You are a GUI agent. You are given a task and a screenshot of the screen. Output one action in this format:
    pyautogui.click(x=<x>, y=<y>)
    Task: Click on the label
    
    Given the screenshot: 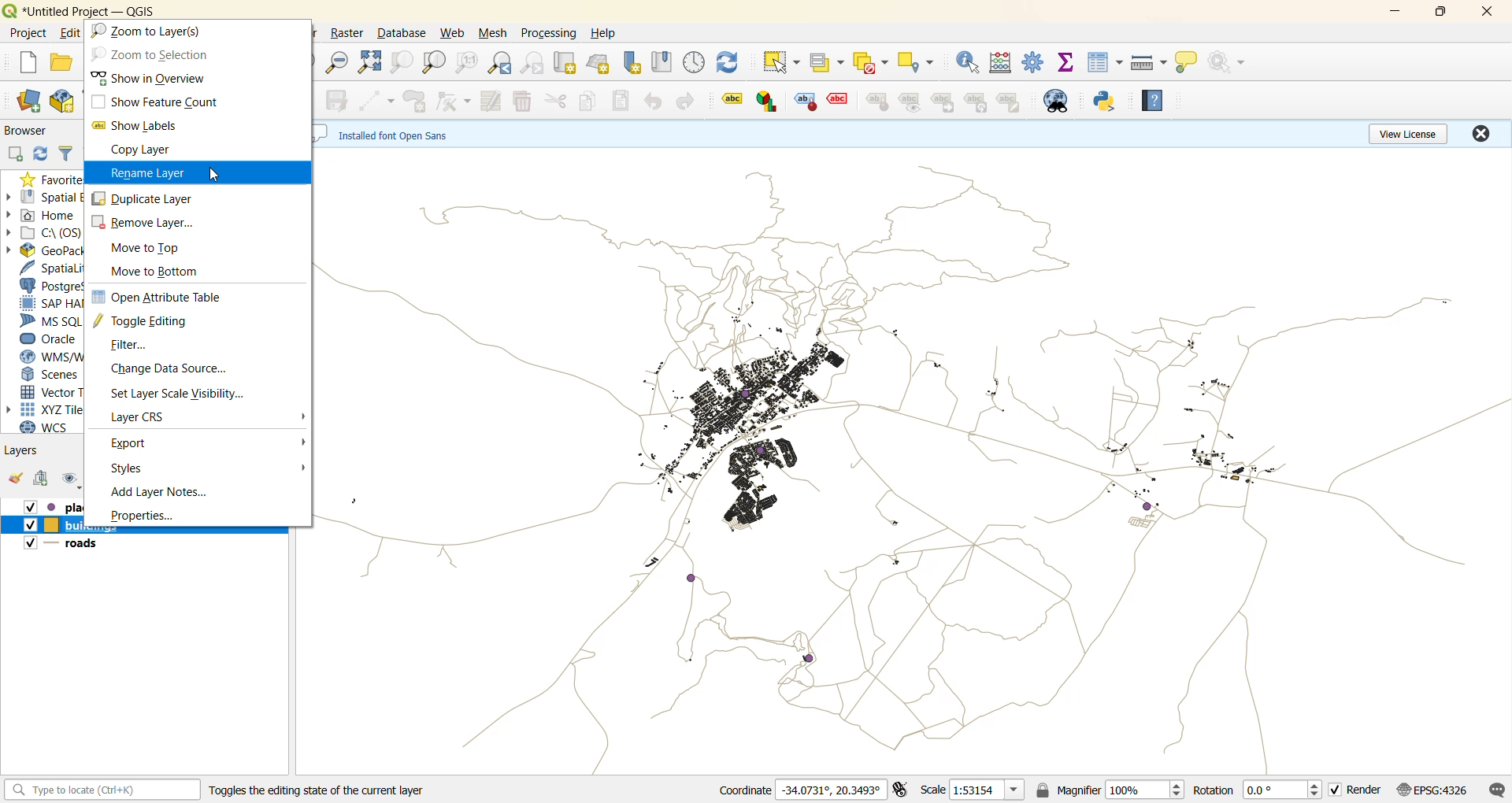 What is the action you would take?
    pyautogui.click(x=726, y=99)
    